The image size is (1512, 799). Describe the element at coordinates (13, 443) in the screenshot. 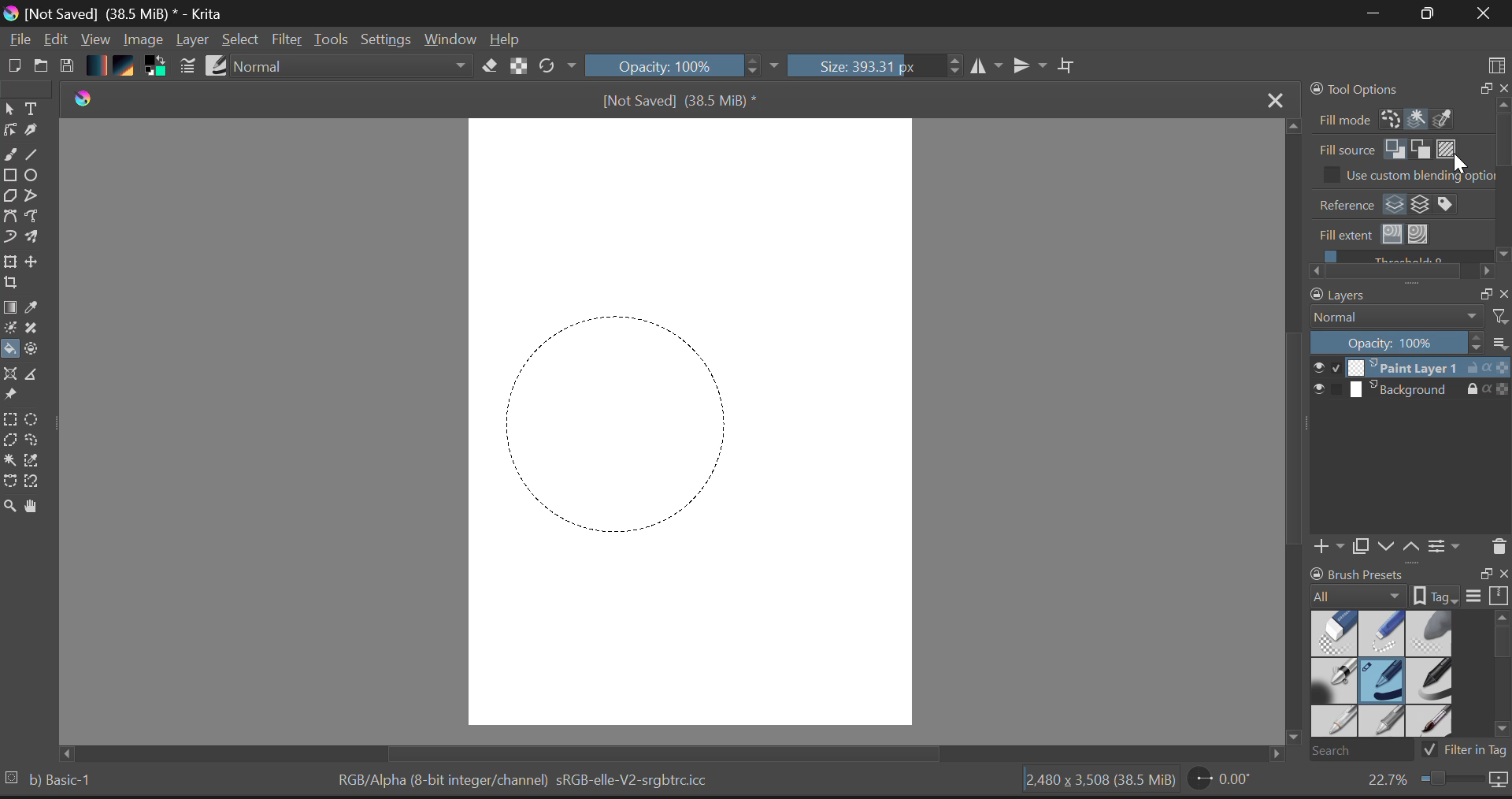

I see `Polygon Selection` at that location.